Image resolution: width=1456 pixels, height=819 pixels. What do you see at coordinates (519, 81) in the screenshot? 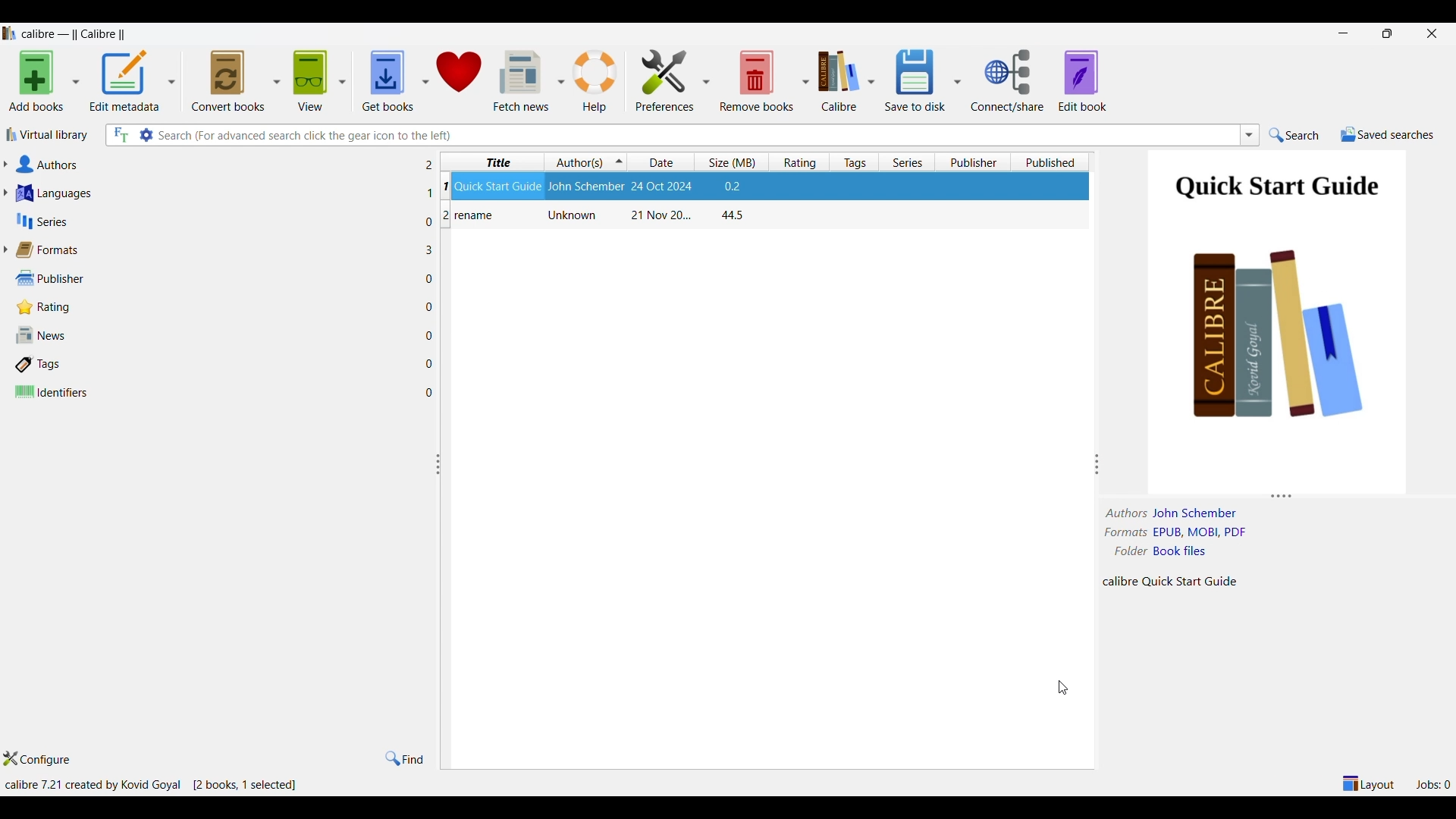
I see `Fetch news` at bounding box center [519, 81].